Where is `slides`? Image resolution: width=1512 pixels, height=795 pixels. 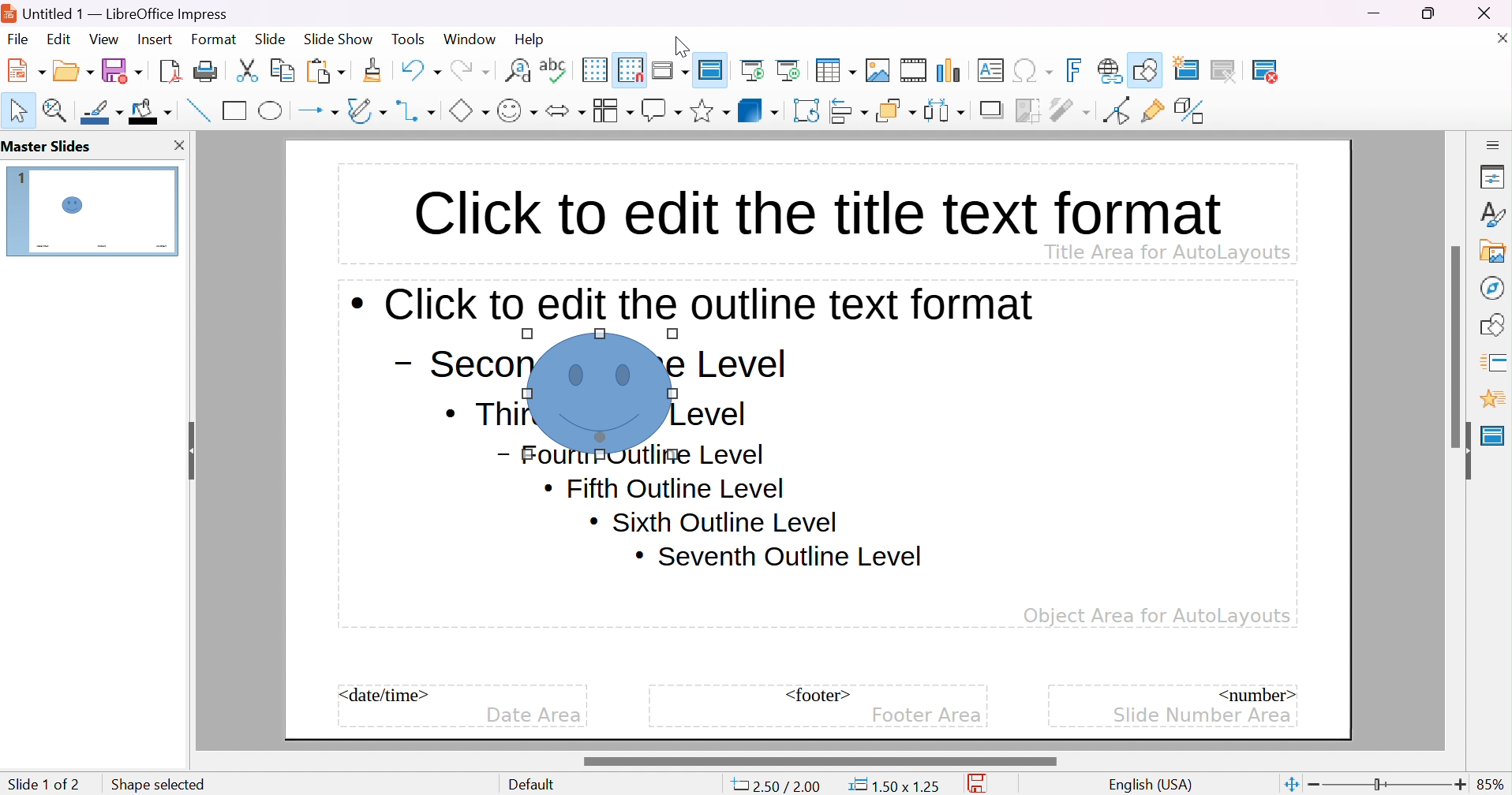 slides is located at coordinates (51, 147).